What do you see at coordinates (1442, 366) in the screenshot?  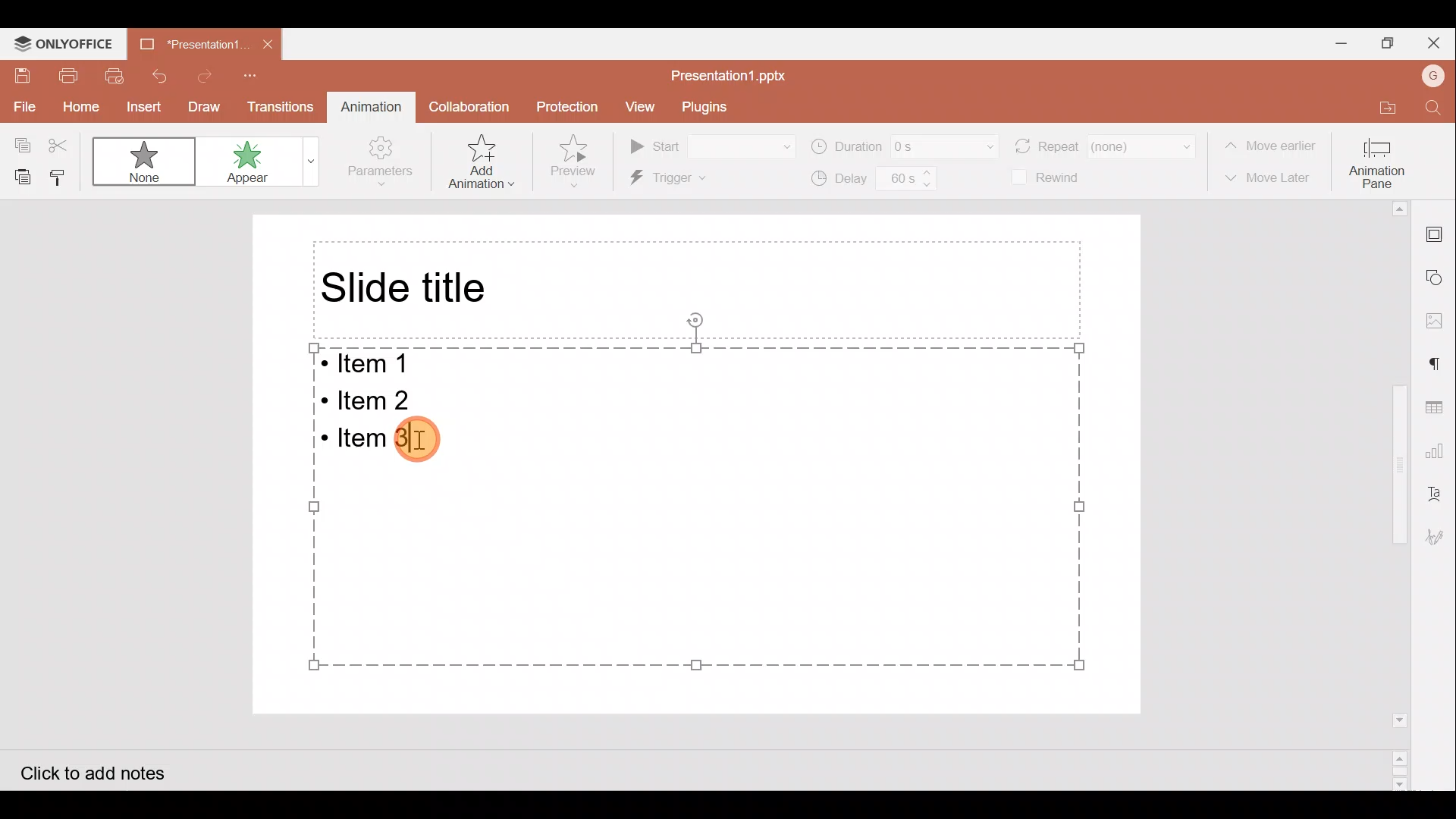 I see `Paragraph setting` at bounding box center [1442, 366].